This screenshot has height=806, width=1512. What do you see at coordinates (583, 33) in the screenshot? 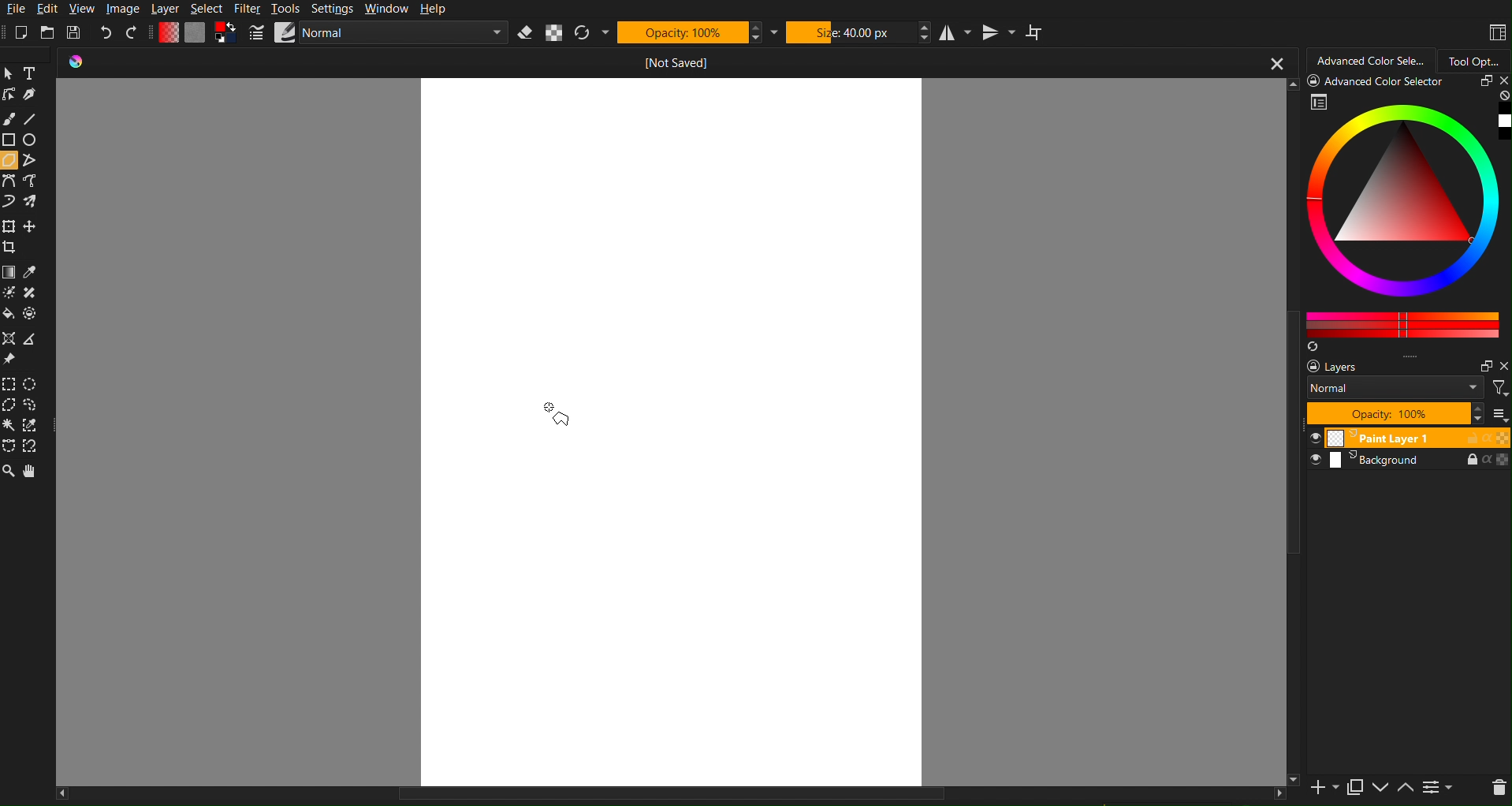
I see `Refresh` at bounding box center [583, 33].